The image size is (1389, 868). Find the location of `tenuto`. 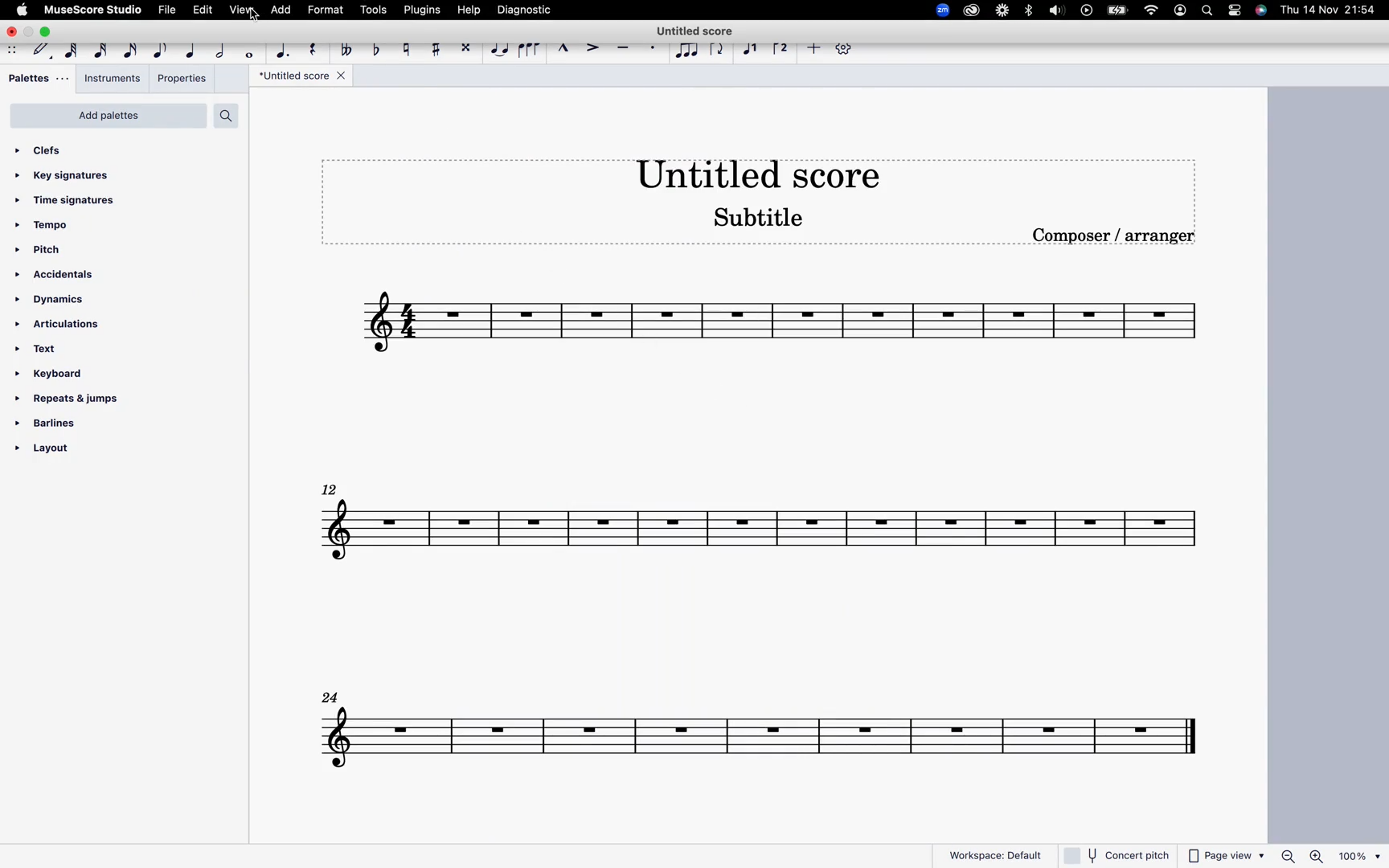

tenuto is located at coordinates (623, 48).